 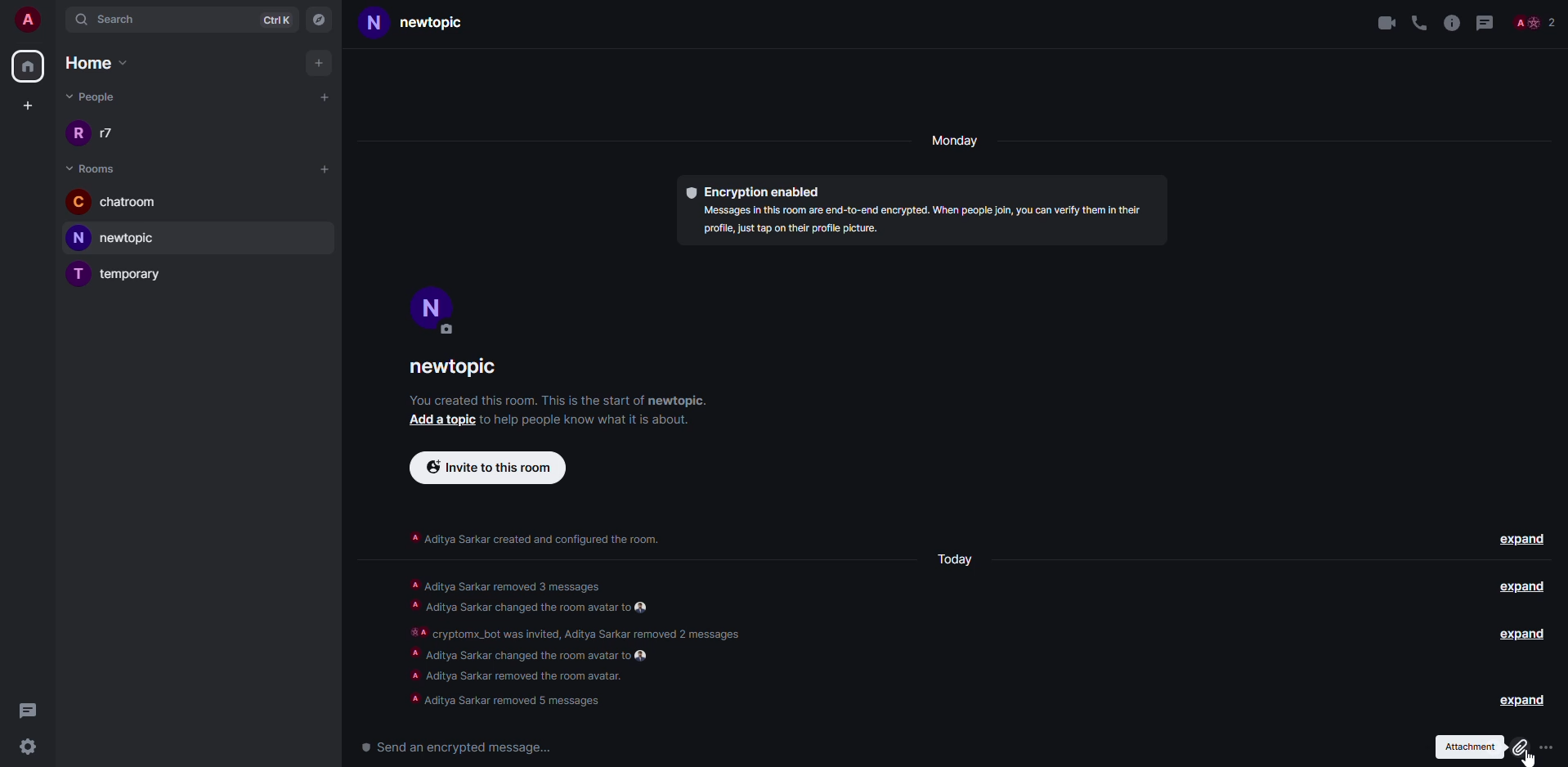 What do you see at coordinates (929, 218) in the screenshot?
I see `info` at bounding box center [929, 218].